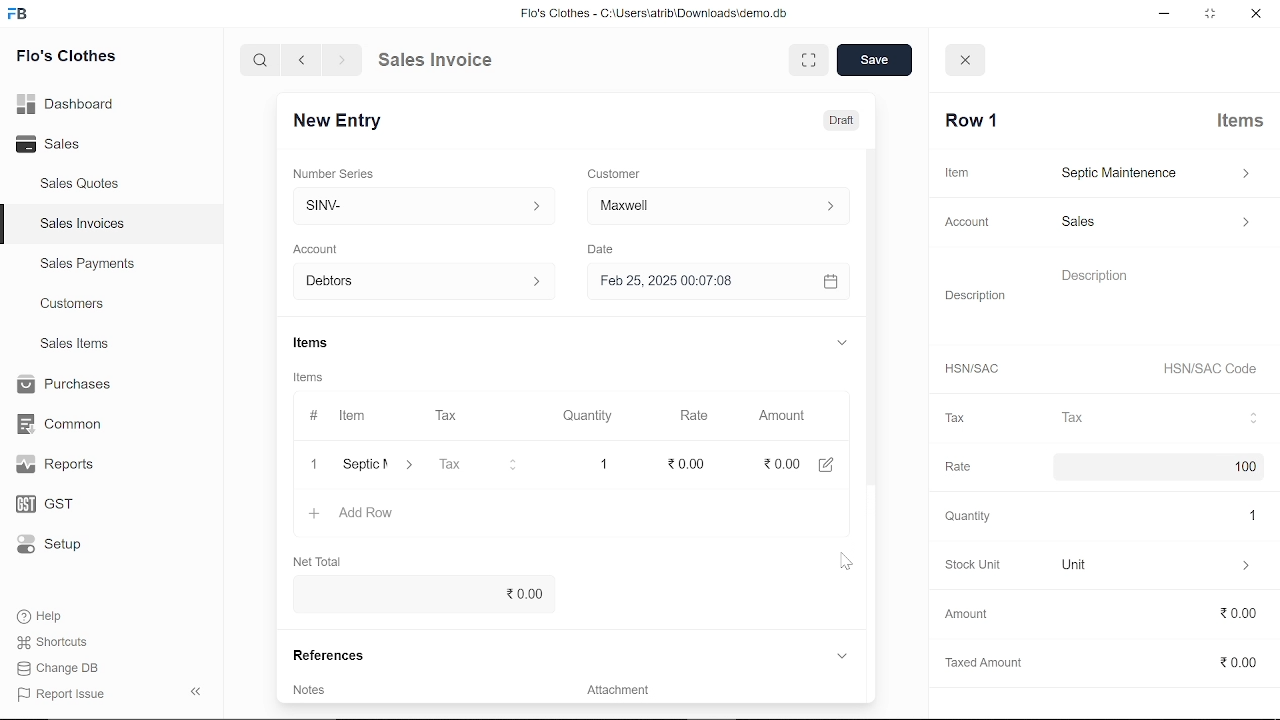 This screenshot has height=720, width=1280. What do you see at coordinates (1254, 12) in the screenshot?
I see `close` at bounding box center [1254, 12].